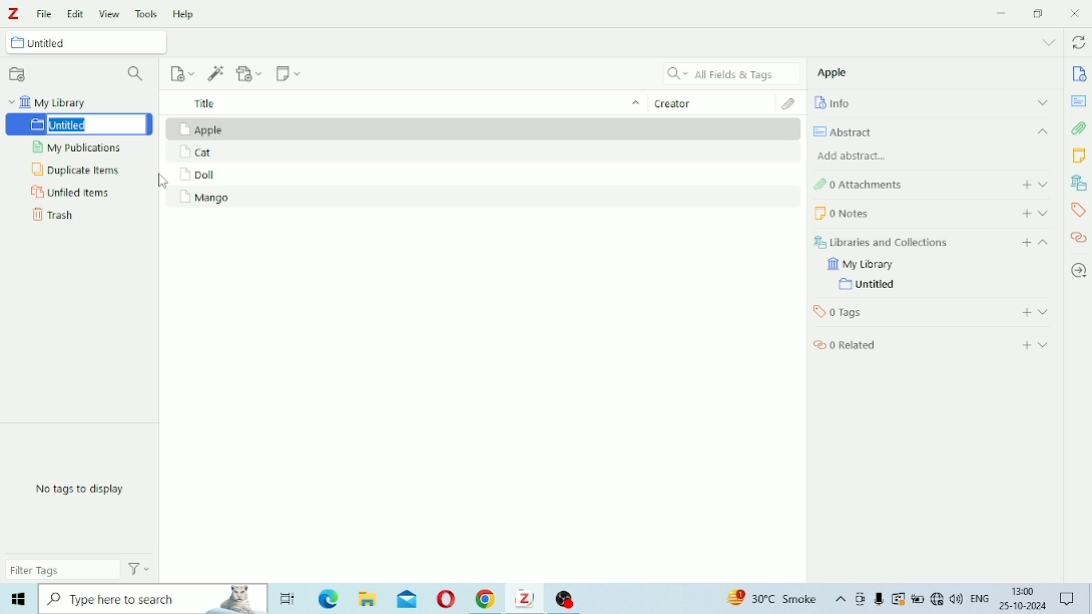 The width and height of the screenshot is (1092, 614). I want to click on New Note, so click(289, 72).